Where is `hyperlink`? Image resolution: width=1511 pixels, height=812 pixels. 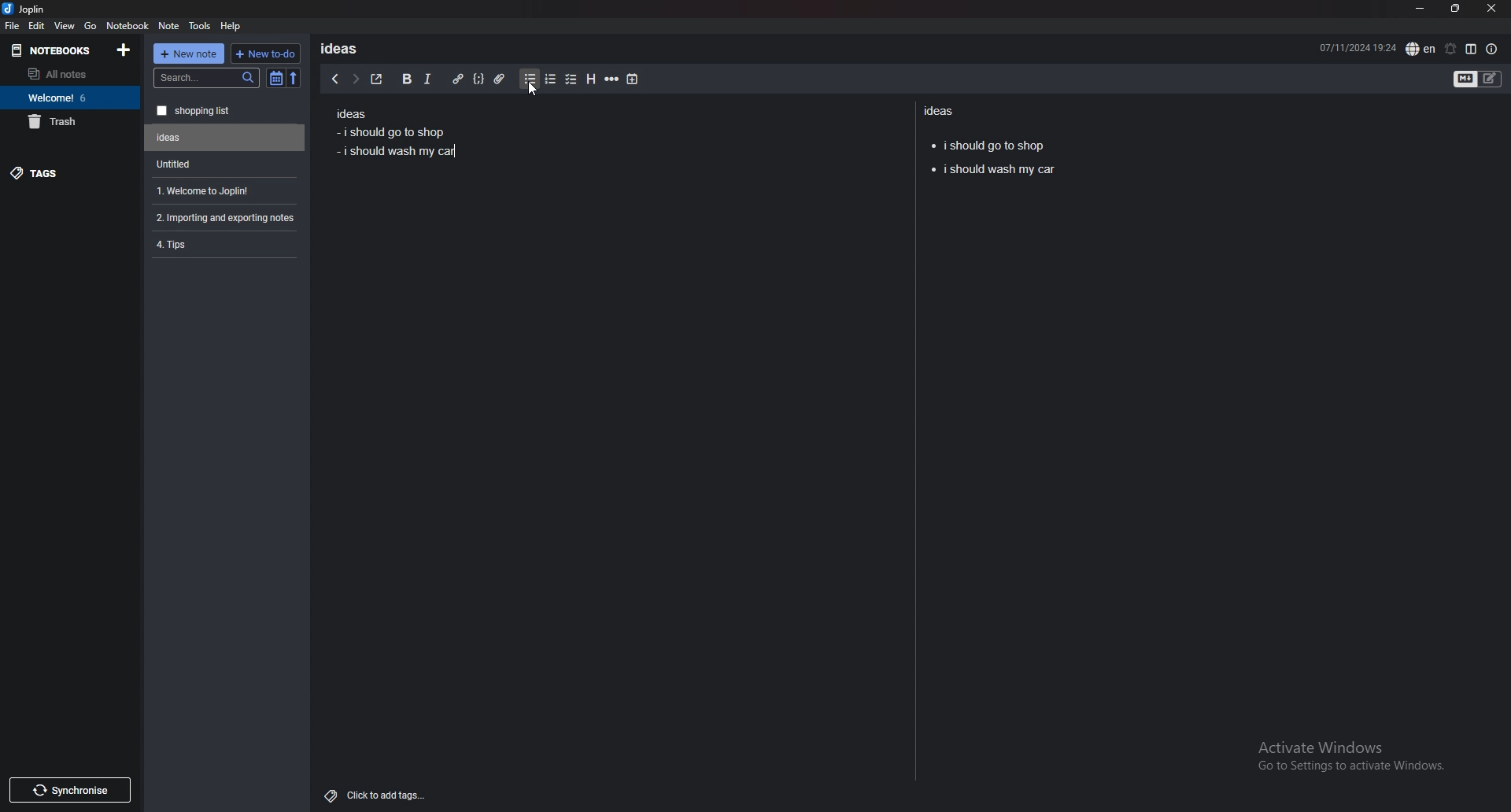 hyperlink is located at coordinates (457, 79).